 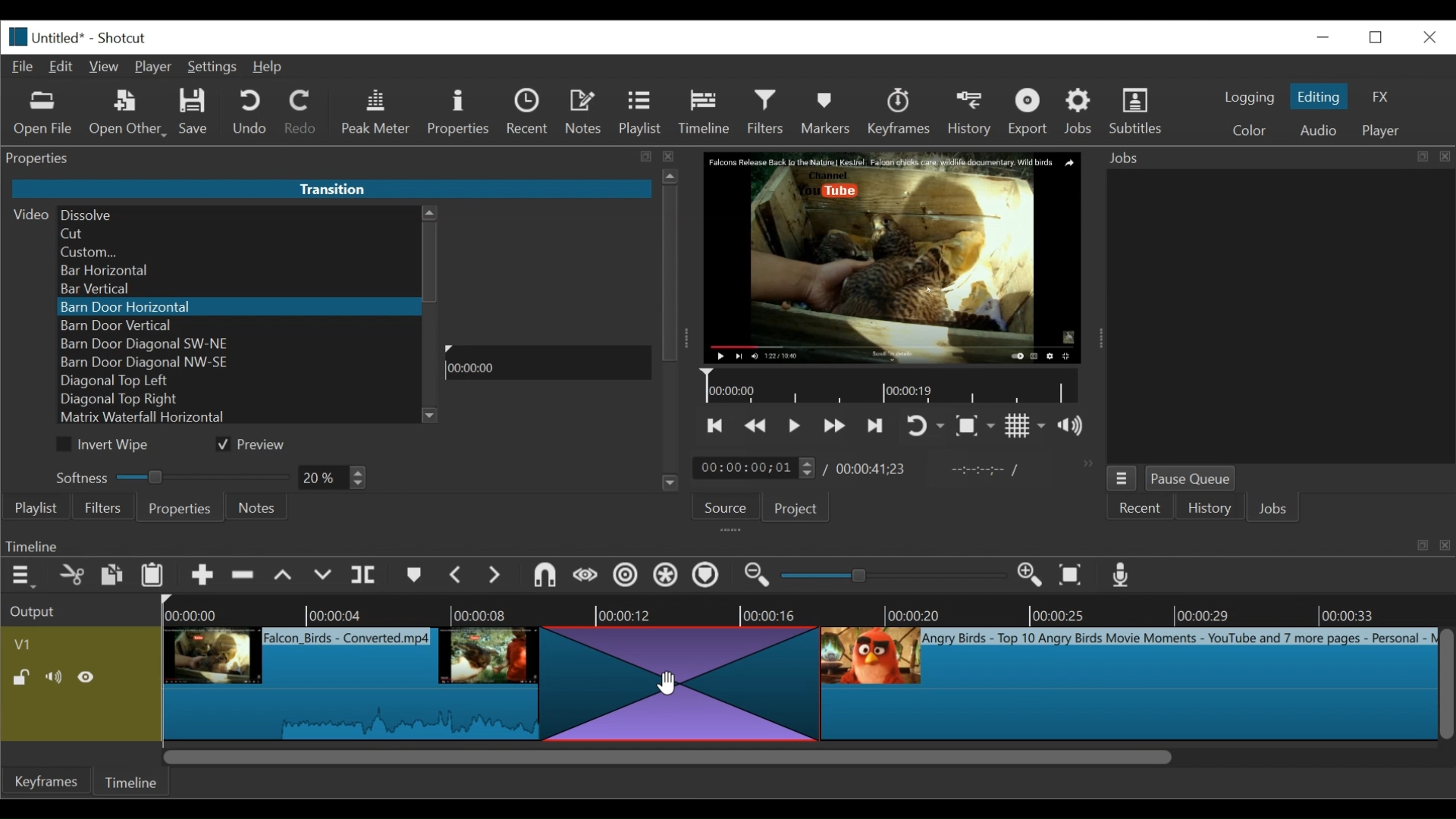 What do you see at coordinates (495, 574) in the screenshot?
I see `Next Marker` at bounding box center [495, 574].